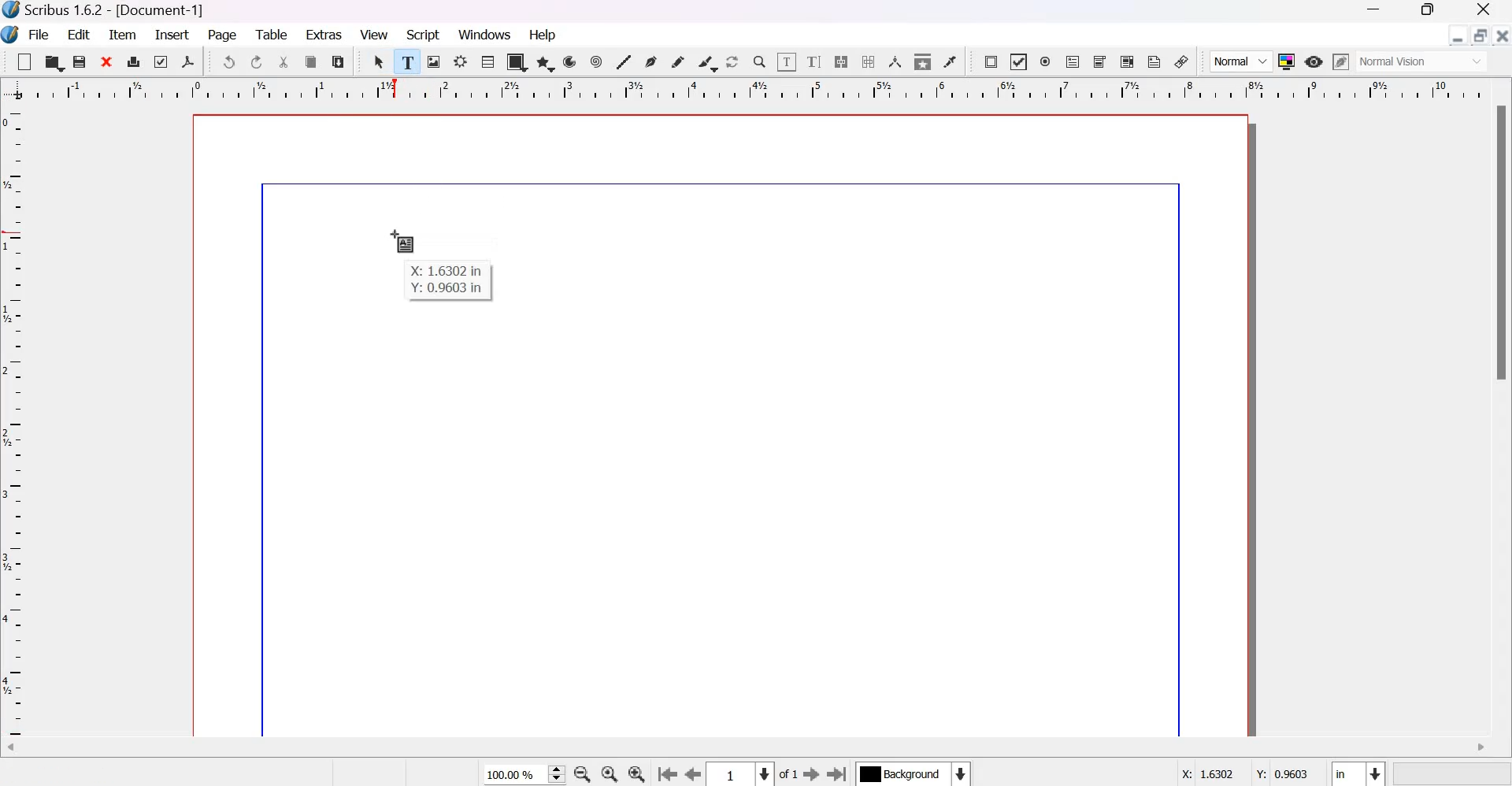 The image size is (1512, 786). What do you see at coordinates (408, 59) in the screenshot?
I see `text frame` at bounding box center [408, 59].